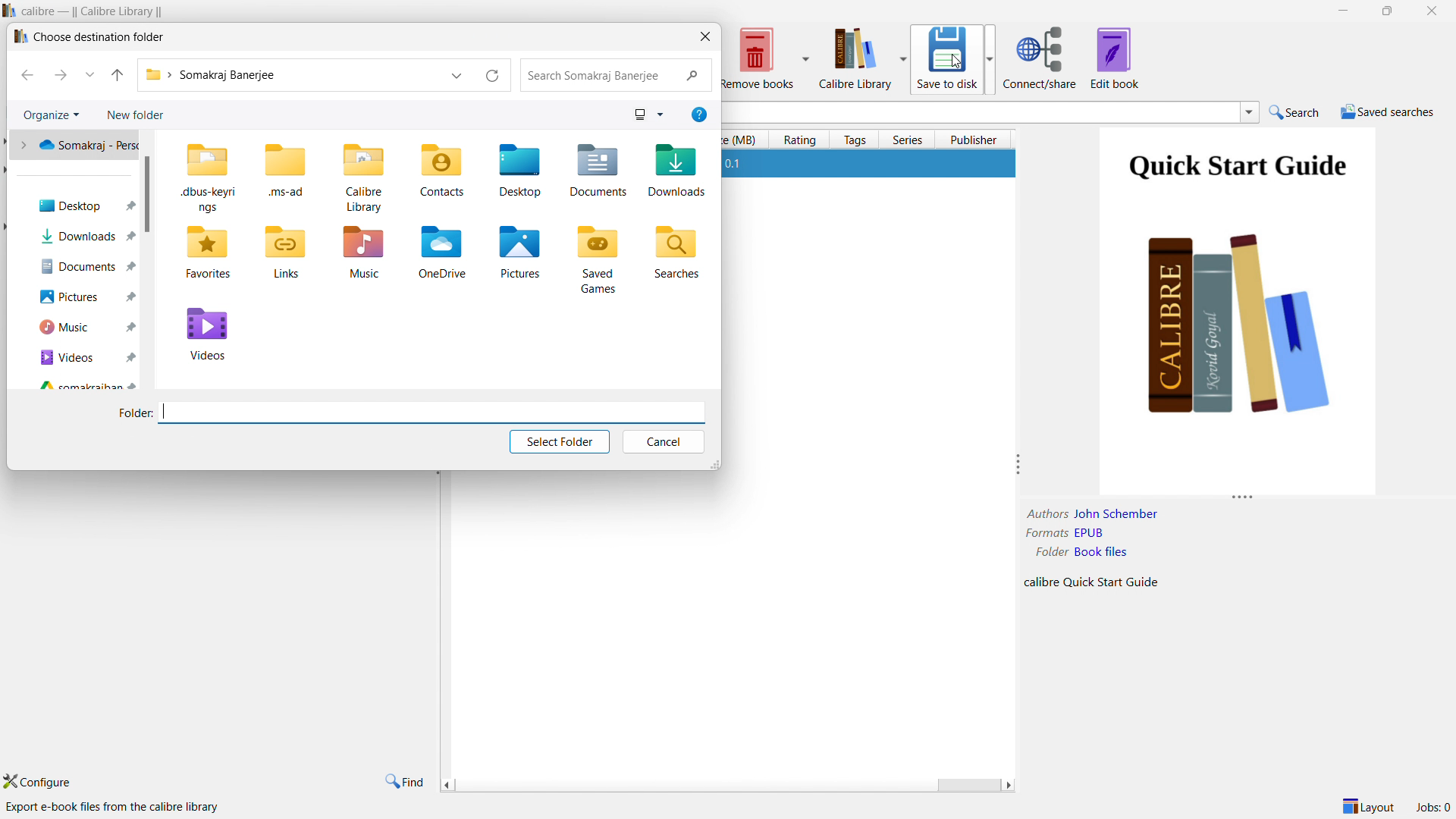 The image size is (1456, 819). What do you see at coordinates (1296, 111) in the screenshot?
I see `search` at bounding box center [1296, 111].